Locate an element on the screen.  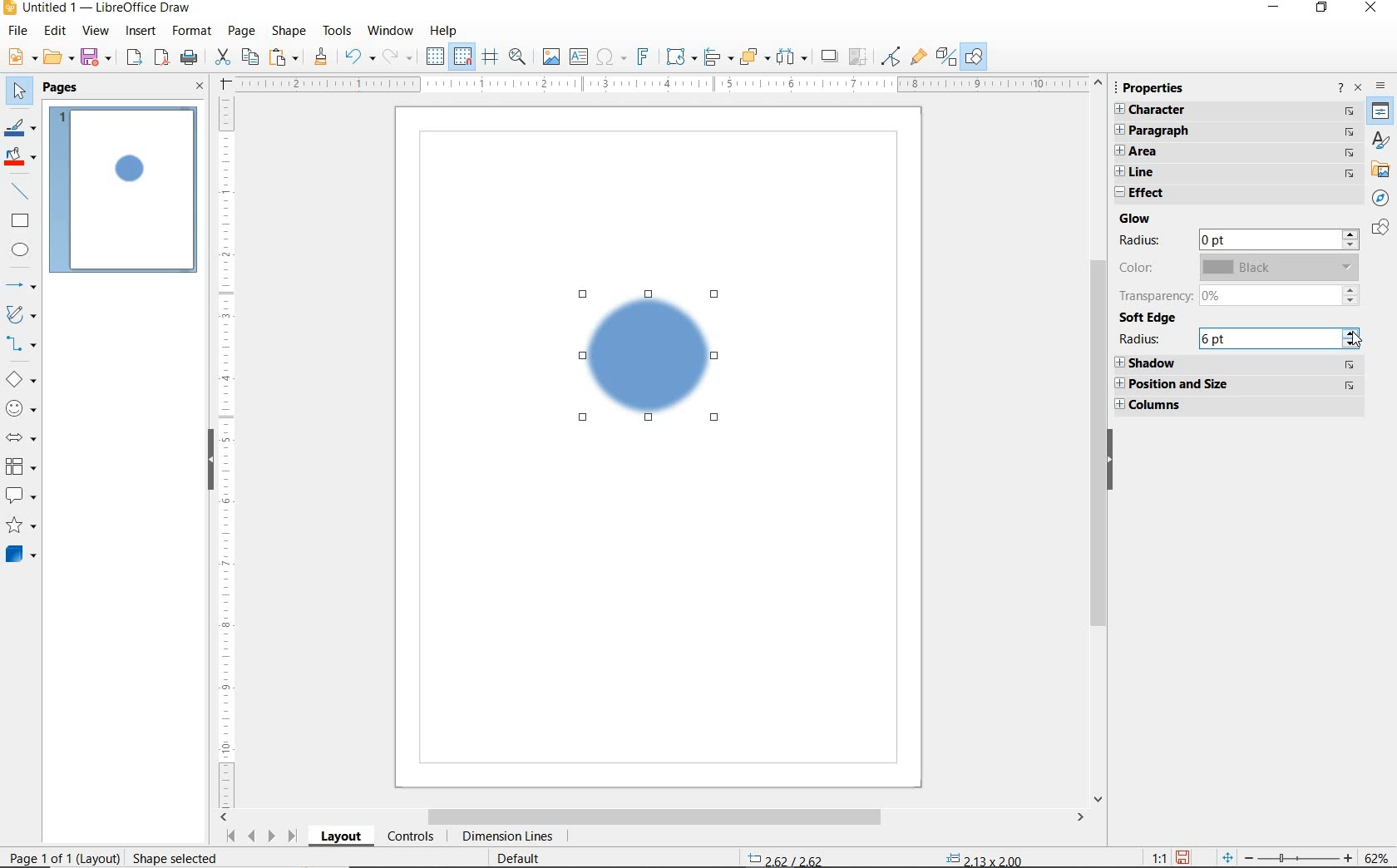
FORMAT is located at coordinates (193, 31).